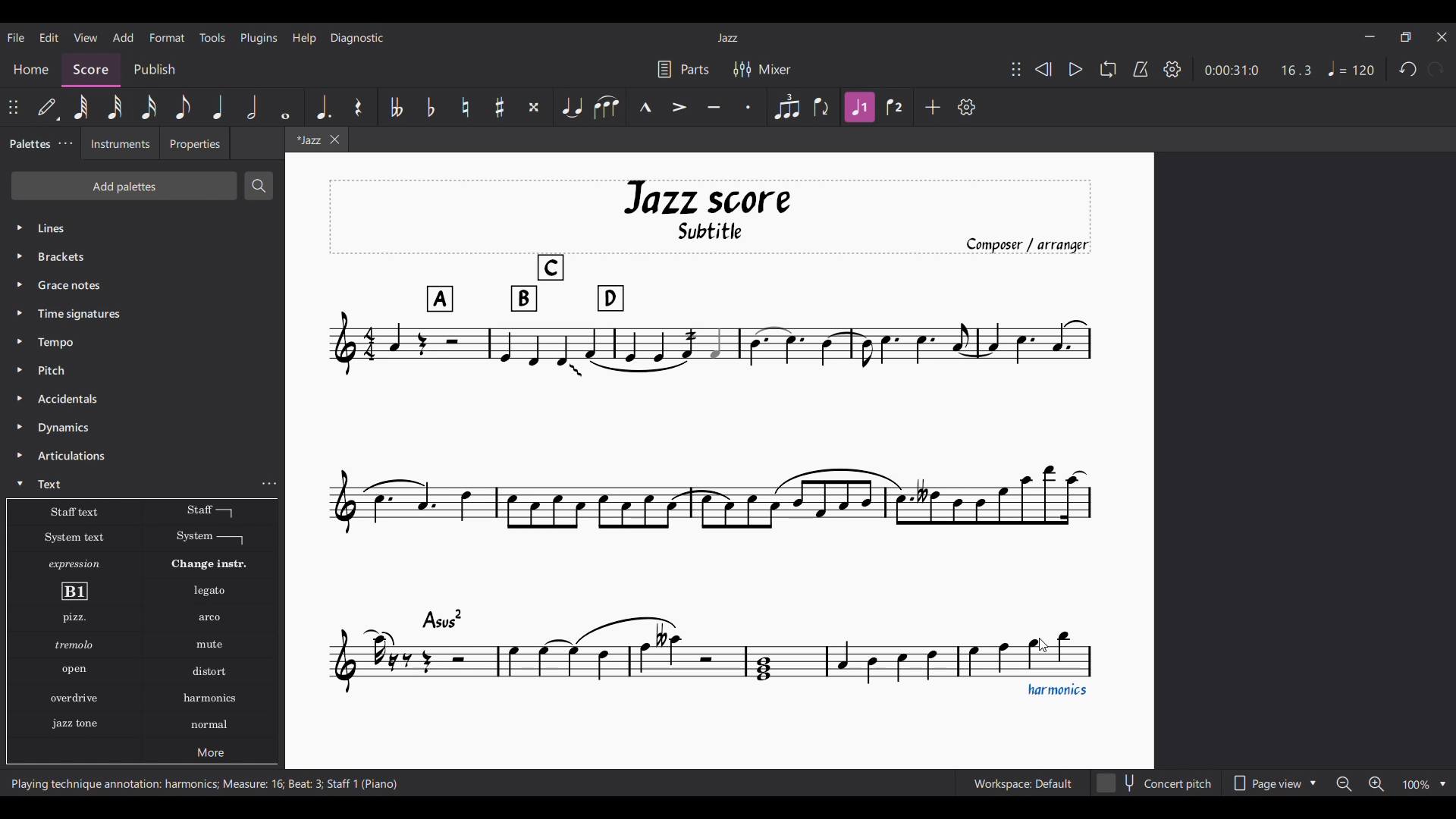 This screenshot has height=819, width=1456. Describe the element at coordinates (72, 258) in the screenshot. I see `Bracket` at that location.